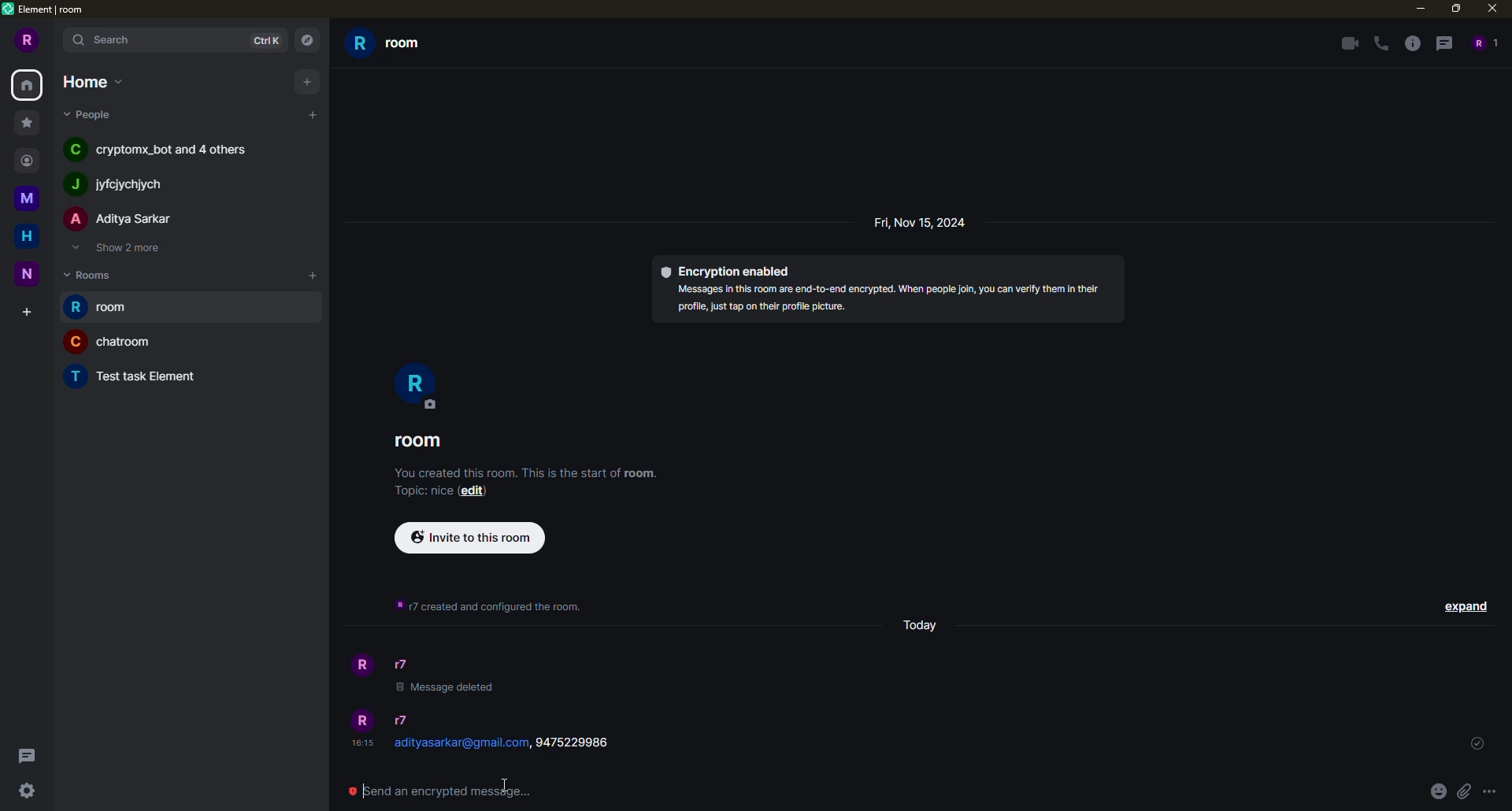  What do you see at coordinates (31, 159) in the screenshot?
I see `contact` at bounding box center [31, 159].